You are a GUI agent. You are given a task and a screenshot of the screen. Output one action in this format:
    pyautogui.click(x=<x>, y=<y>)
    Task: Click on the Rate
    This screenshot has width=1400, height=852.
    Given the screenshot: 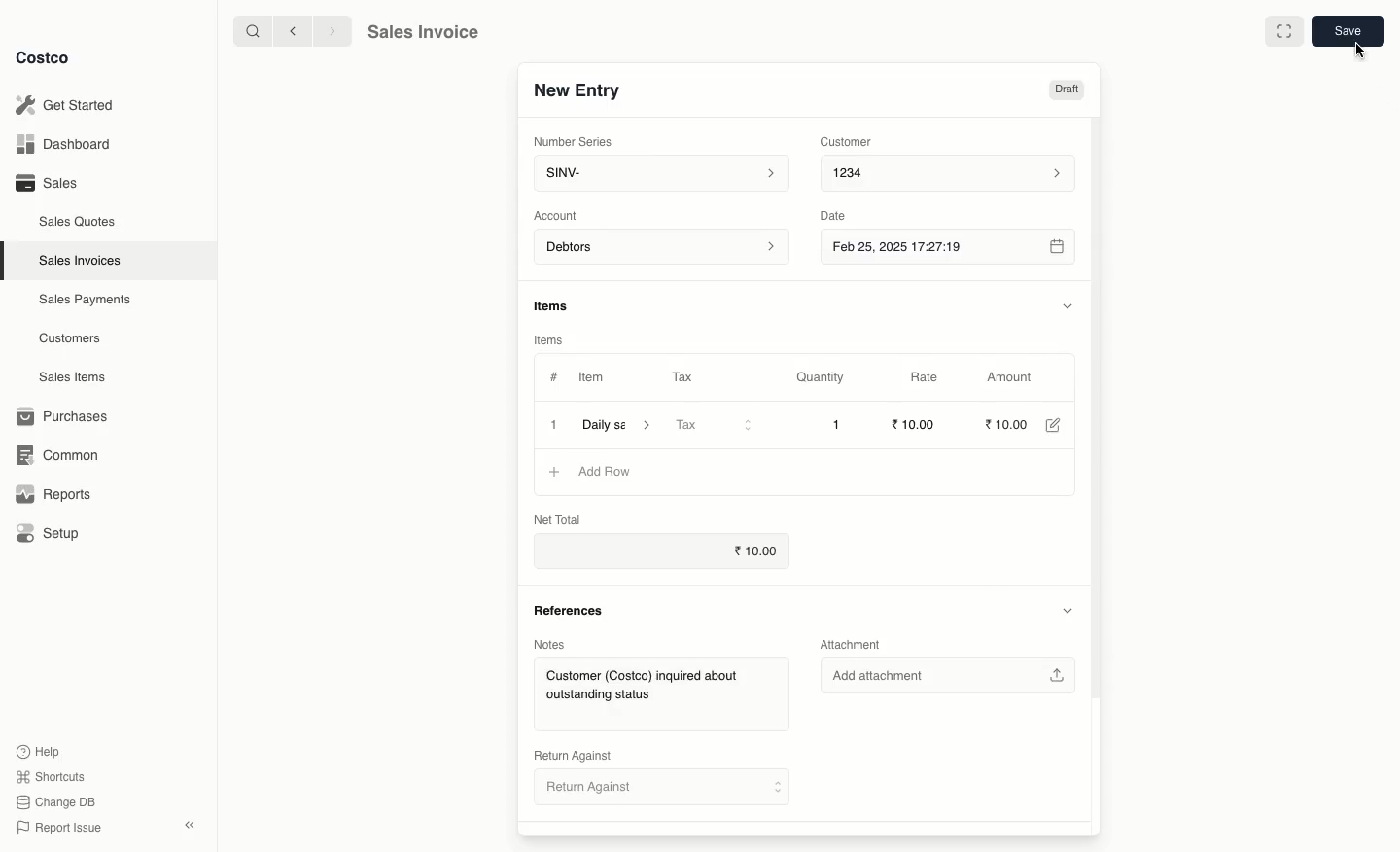 What is the action you would take?
    pyautogui.click(x=936, y=376)
    